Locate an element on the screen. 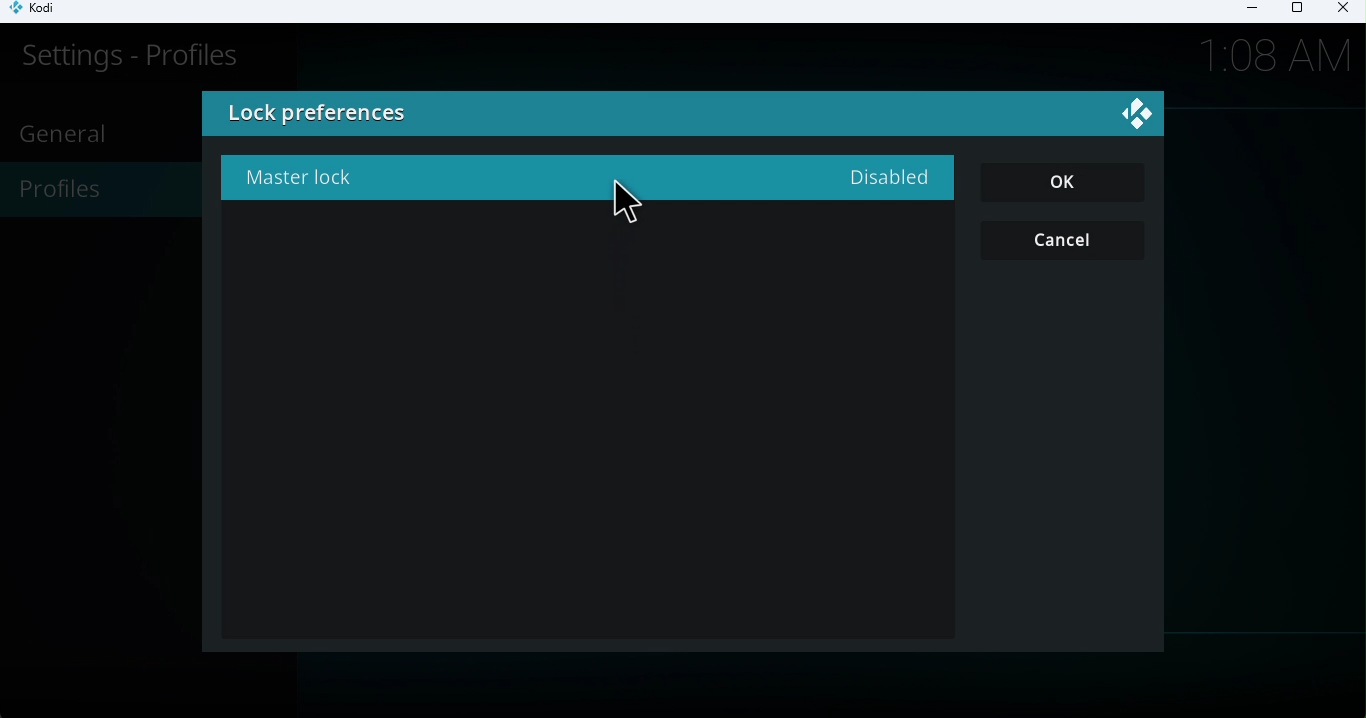 This screenshot has height=718, width=1366. Kodi icon is located at coordinates (42, 12).